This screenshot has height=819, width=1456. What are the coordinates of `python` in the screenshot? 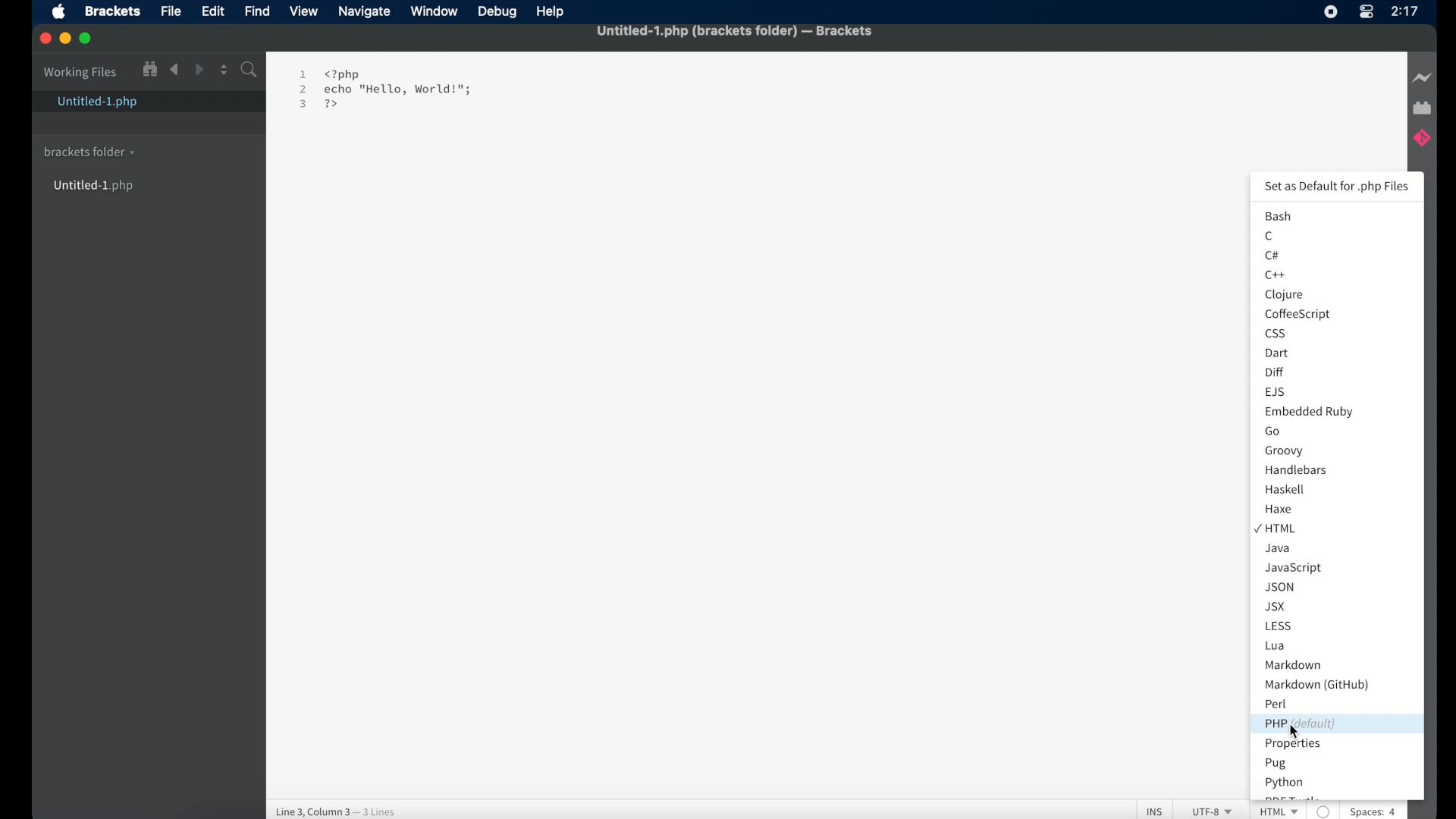 It's located at (1283, 783).